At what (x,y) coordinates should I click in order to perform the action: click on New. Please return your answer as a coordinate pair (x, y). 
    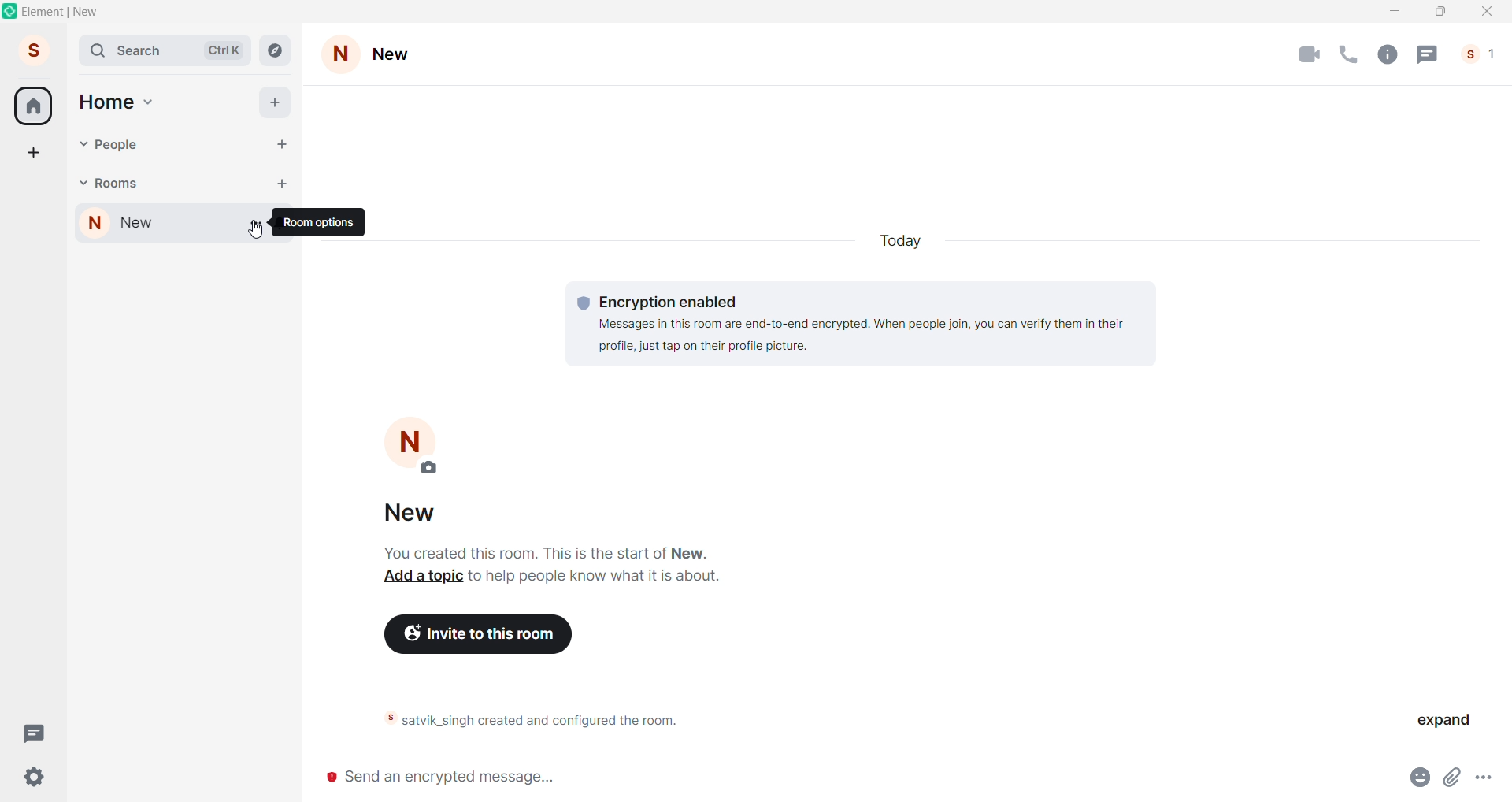
    Looking at the image, I should click on (399, 54).